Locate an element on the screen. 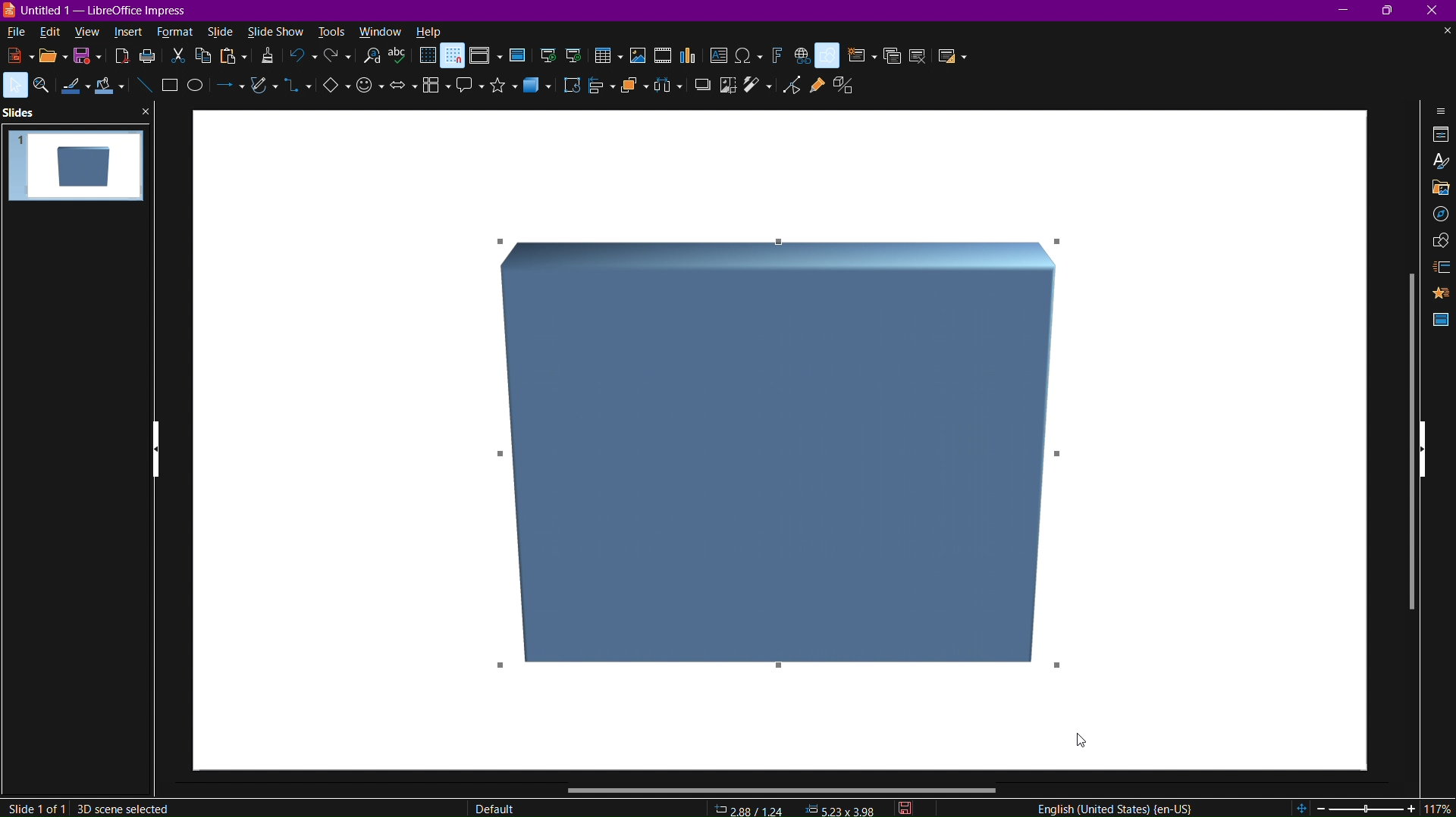  Select is located at coordinates (14, 86).